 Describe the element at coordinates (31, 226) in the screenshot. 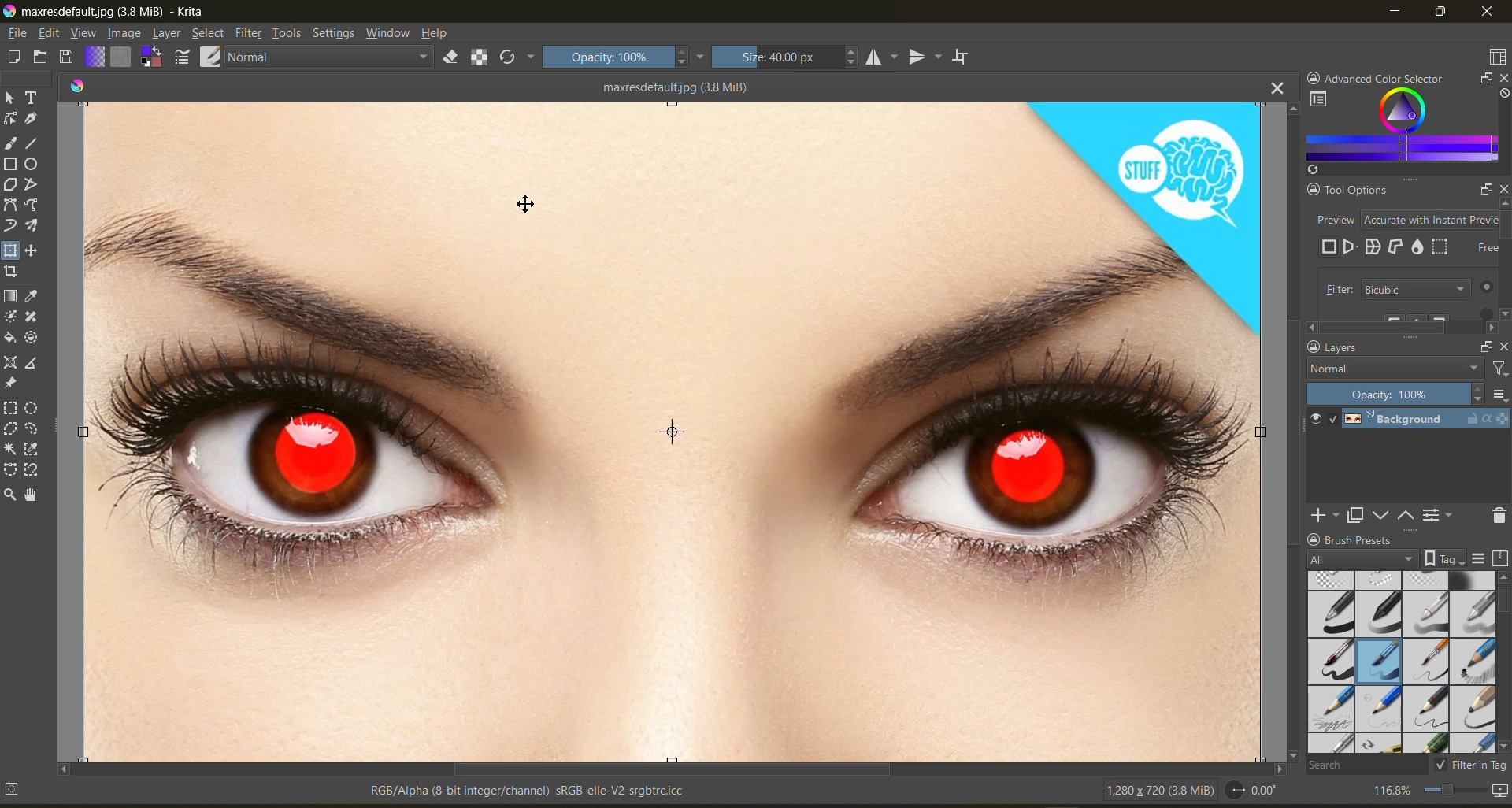

I see `tool` at that location.